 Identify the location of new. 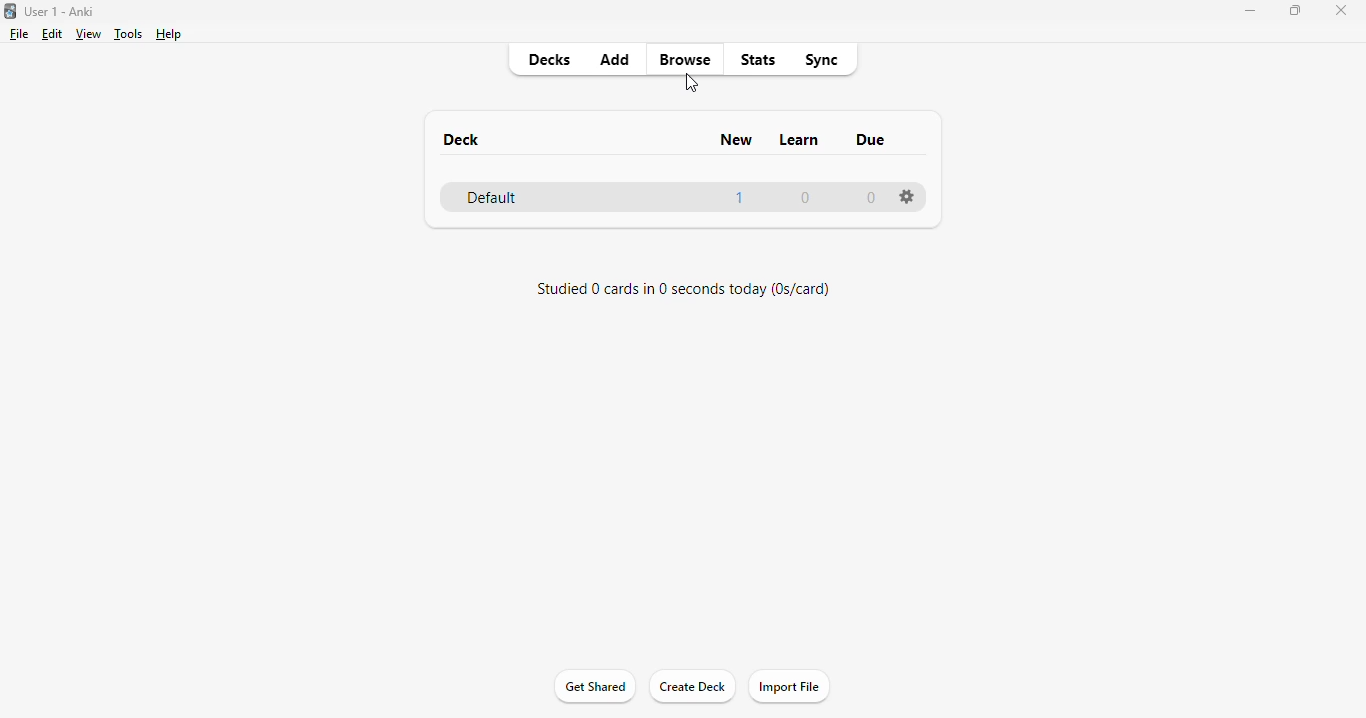
(738, 140).